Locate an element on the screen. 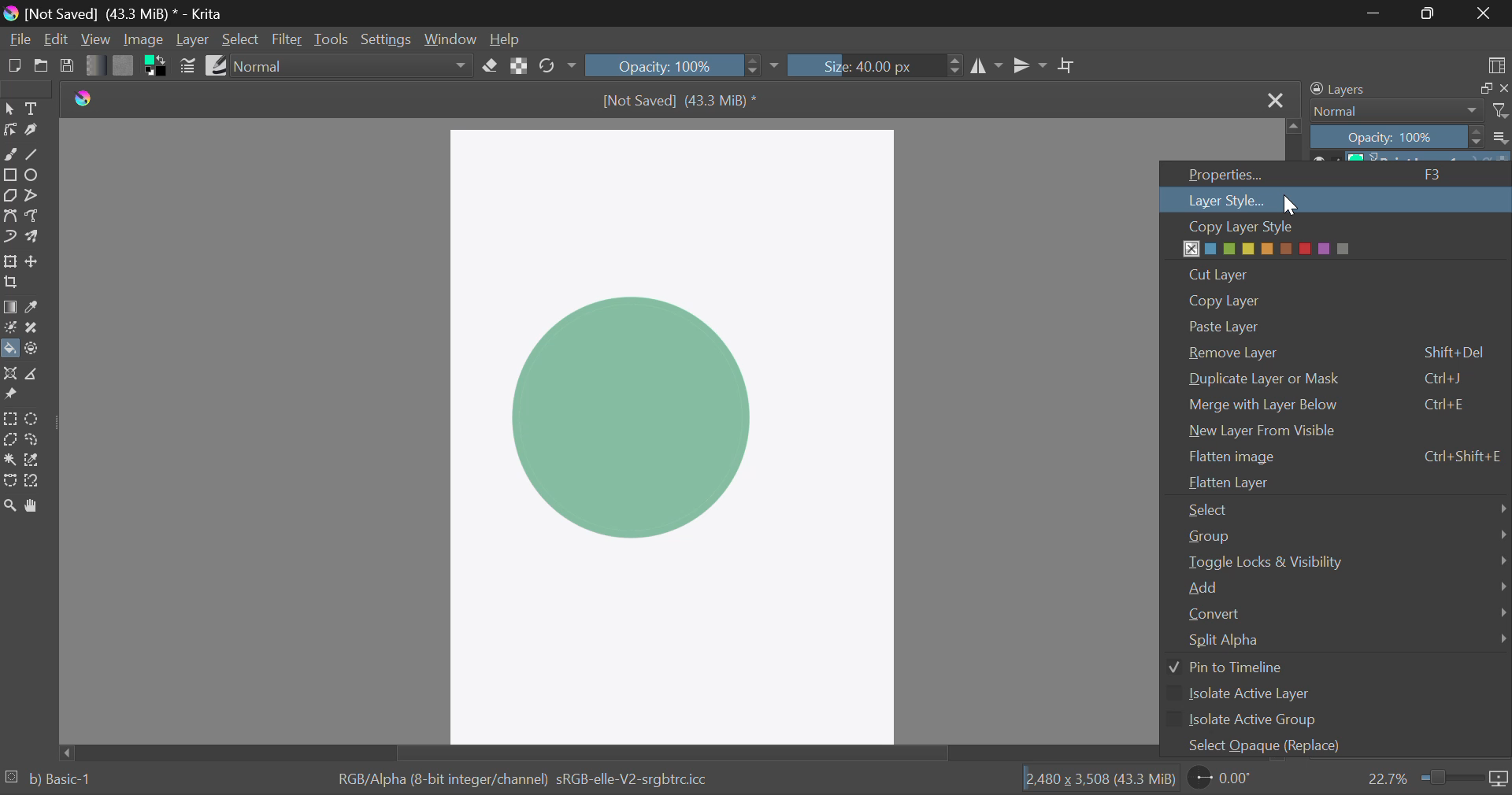 This screenshot has height=795, width=1512. Crop is located at coordinates (1068, 66).